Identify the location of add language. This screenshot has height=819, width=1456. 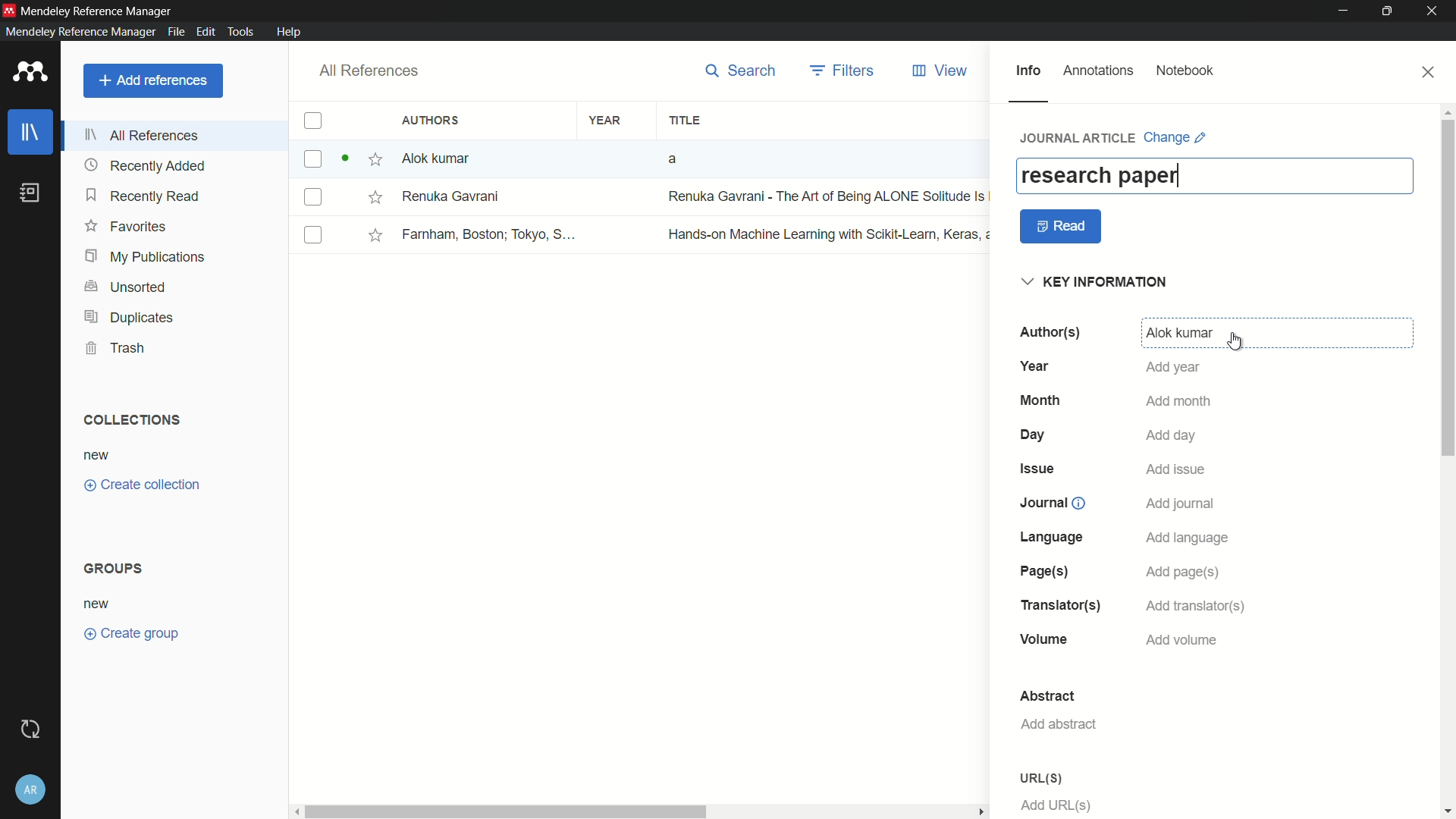
(1188, 538).